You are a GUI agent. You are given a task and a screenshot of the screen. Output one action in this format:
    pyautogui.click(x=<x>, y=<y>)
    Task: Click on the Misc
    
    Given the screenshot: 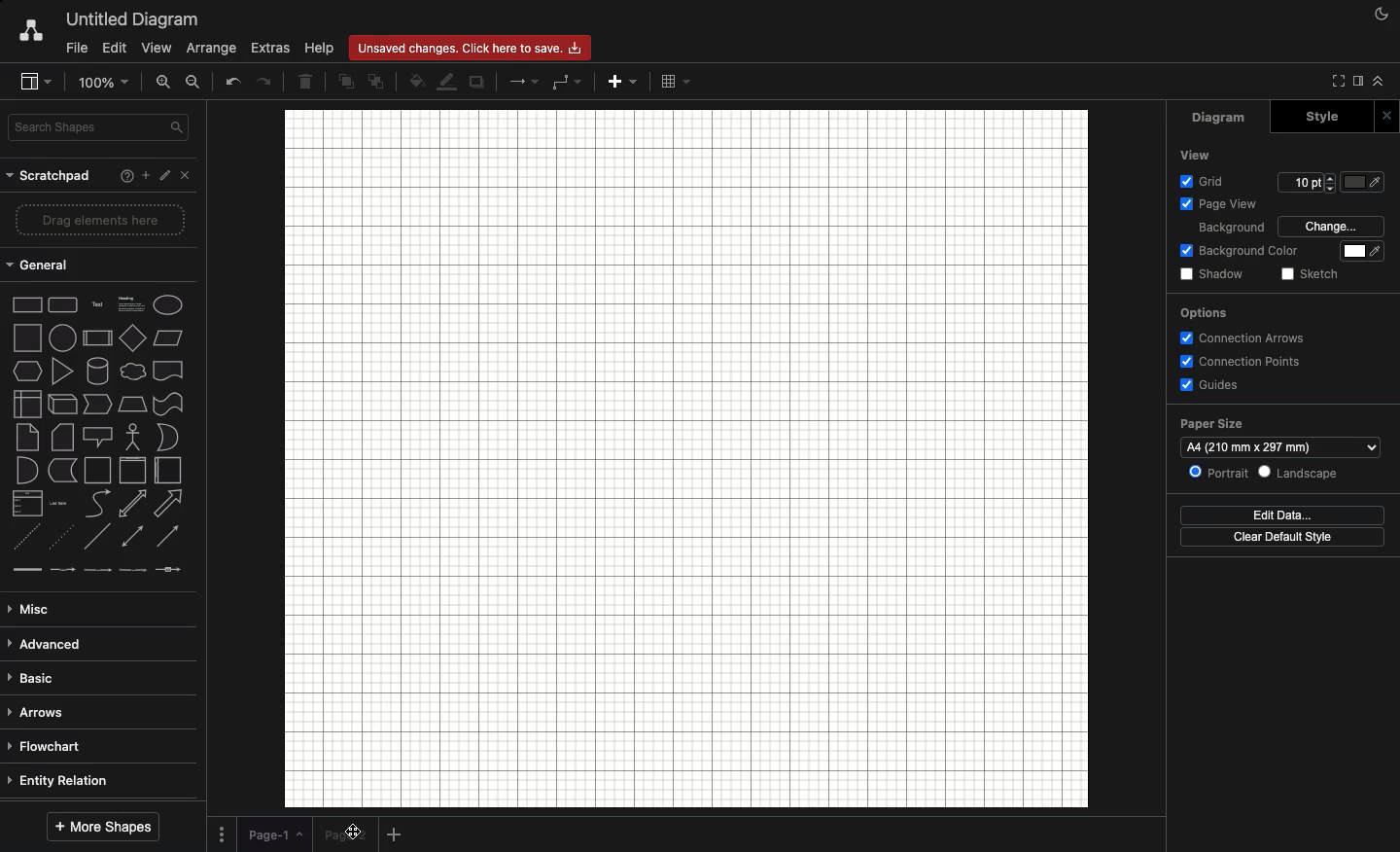 What is the action you would take?
    pyautogui.click(x=30, y=610)
    